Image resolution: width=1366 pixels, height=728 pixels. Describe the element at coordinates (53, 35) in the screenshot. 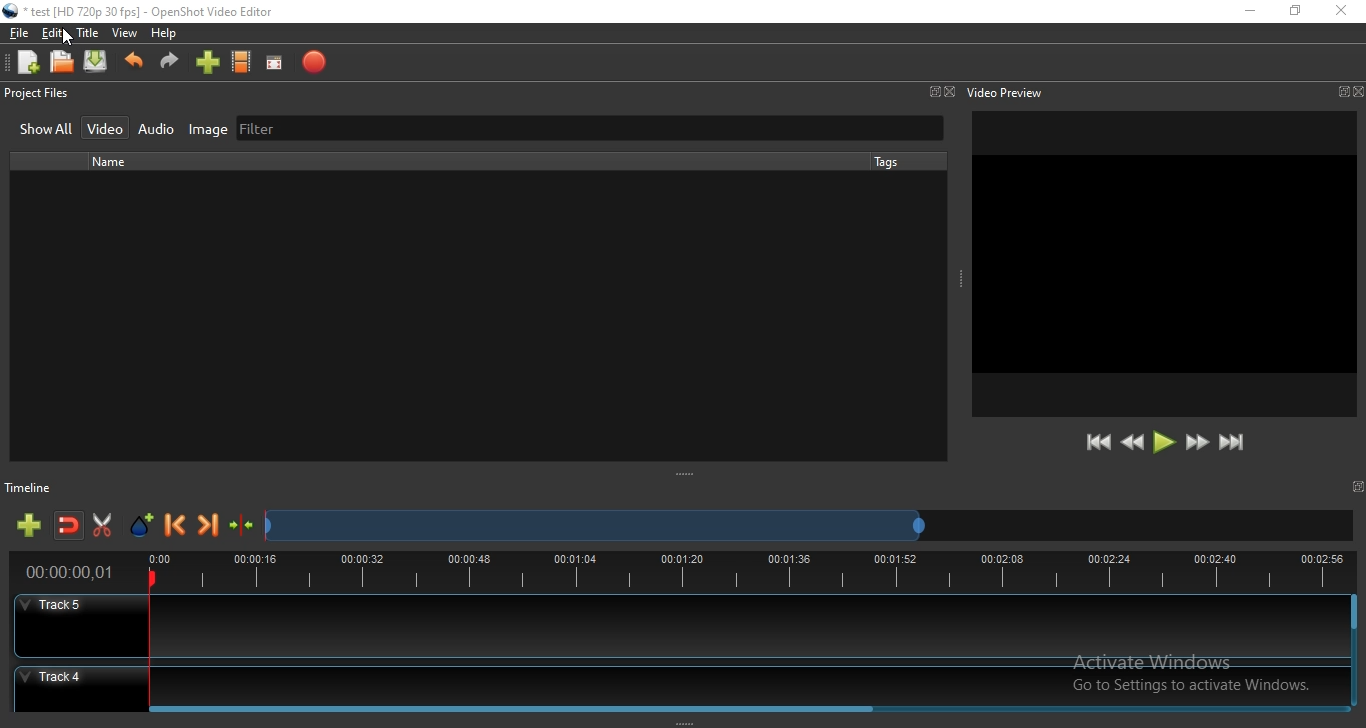

I see `Edit ` at that location.